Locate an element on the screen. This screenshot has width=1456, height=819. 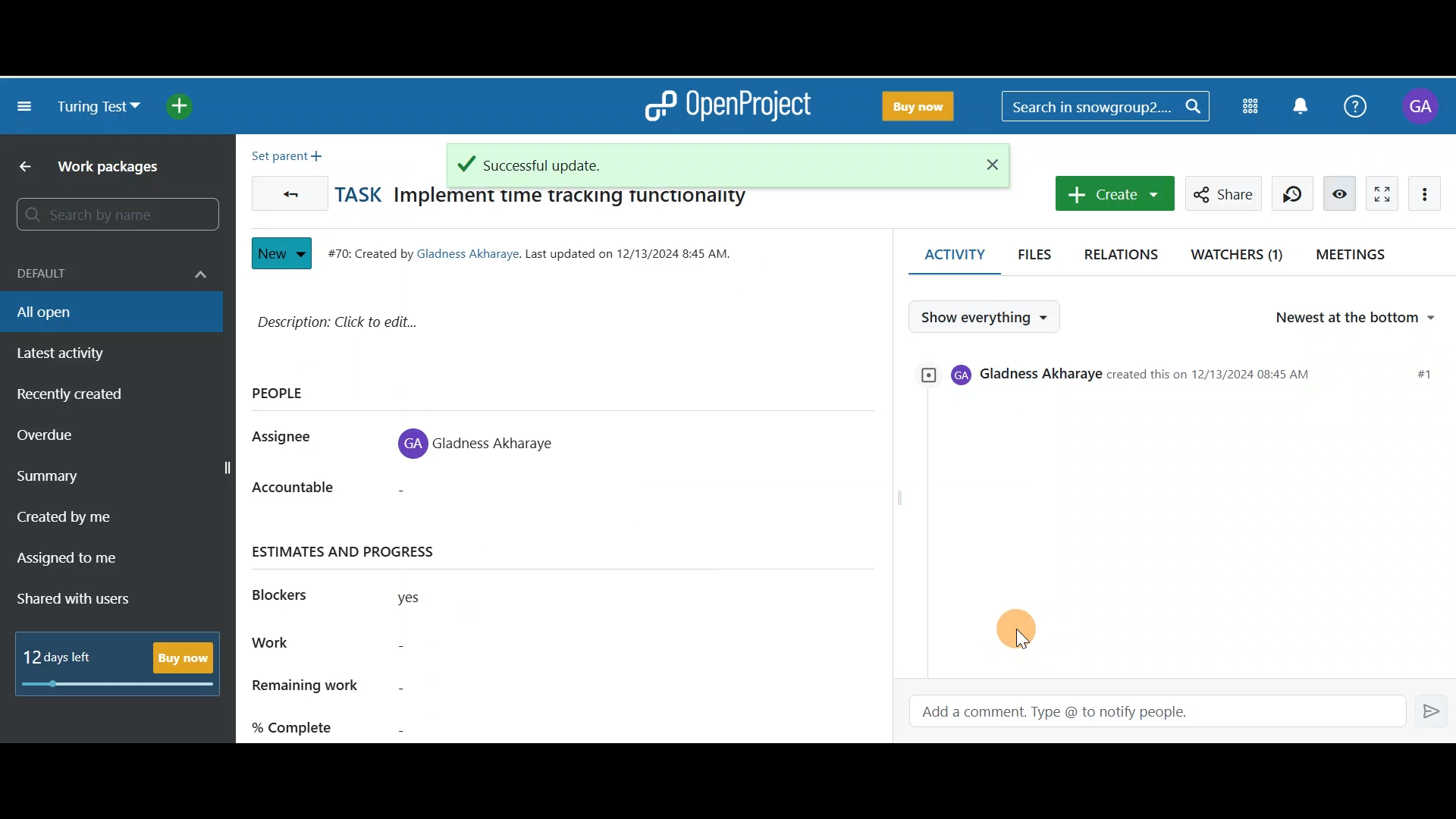
Created by me is located at coordinates (100, 522).